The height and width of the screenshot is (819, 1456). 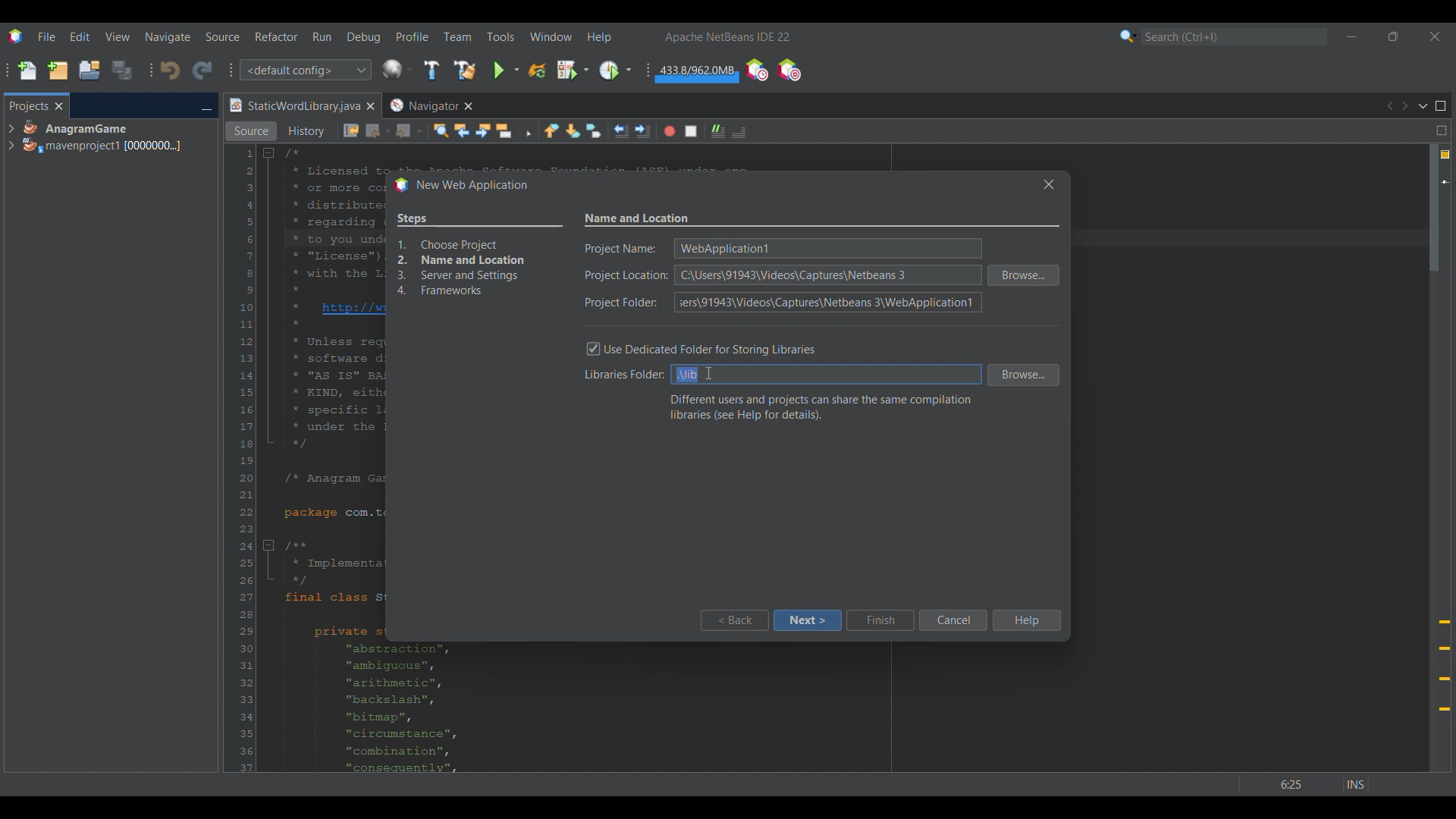 I want to click on Text box, so click(x=843, y=375).